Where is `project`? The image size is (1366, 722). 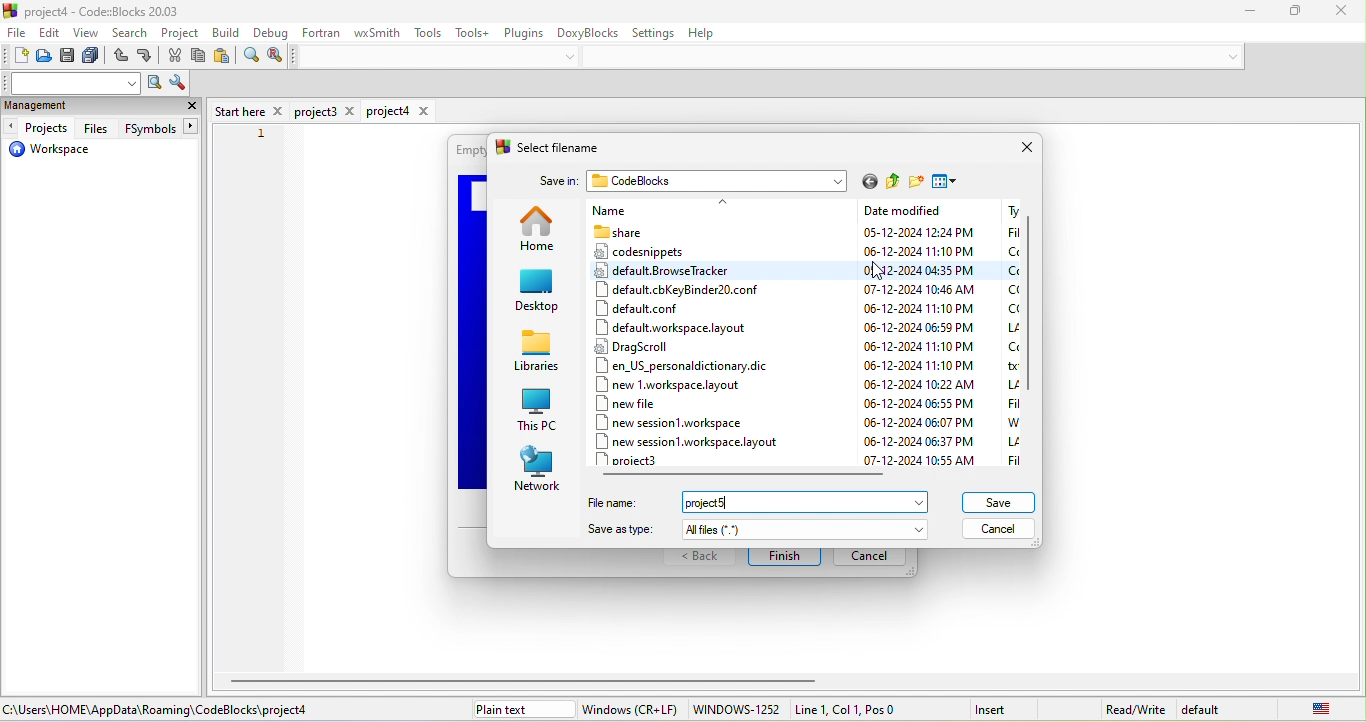 project is located at coordinates (181, 34).